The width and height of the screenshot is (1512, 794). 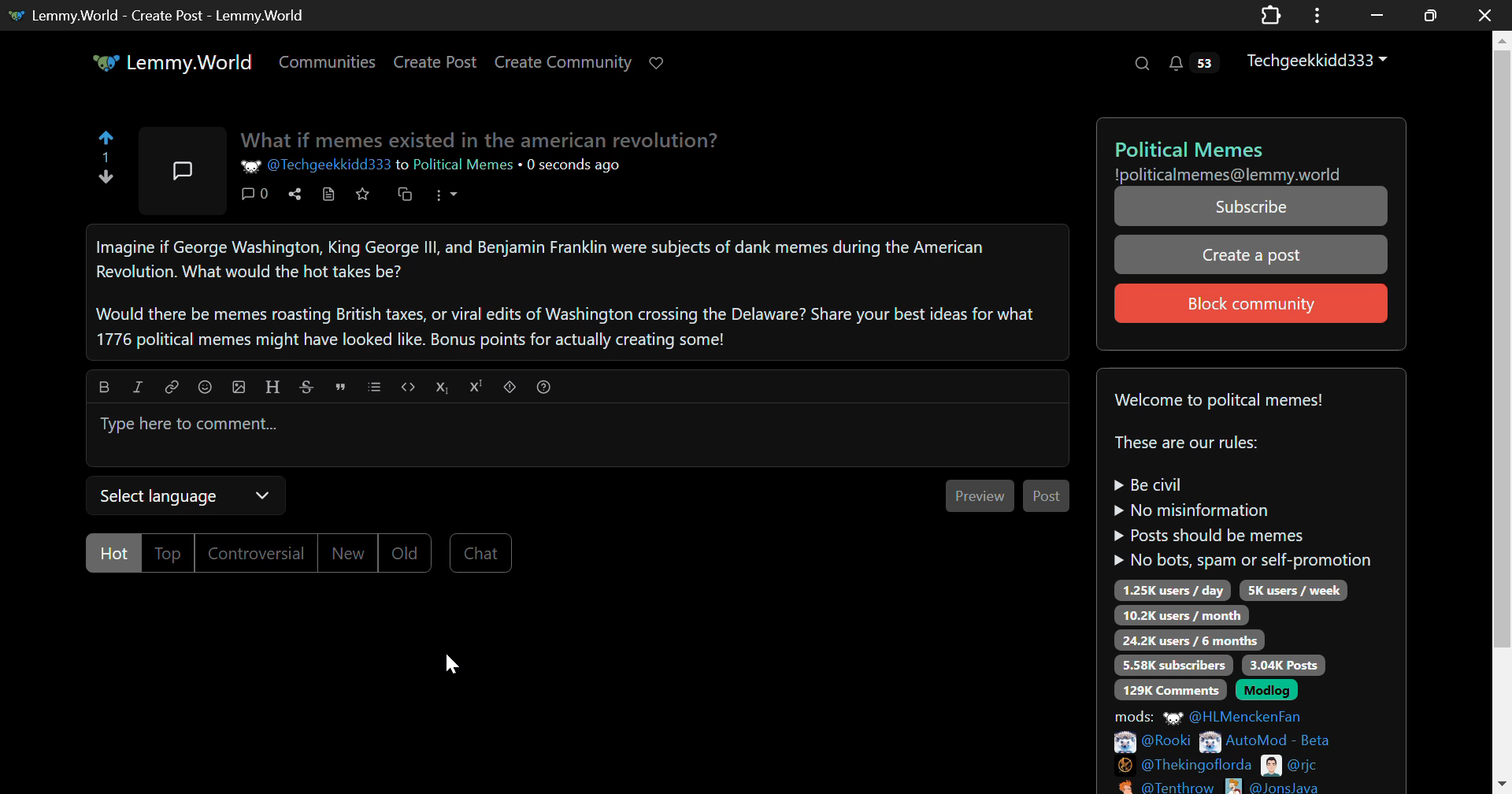 What do you see at coordinates (346, 552) in the screenshot?
I see `New Comment Filter Unselected` at bounding box center [346, 552].